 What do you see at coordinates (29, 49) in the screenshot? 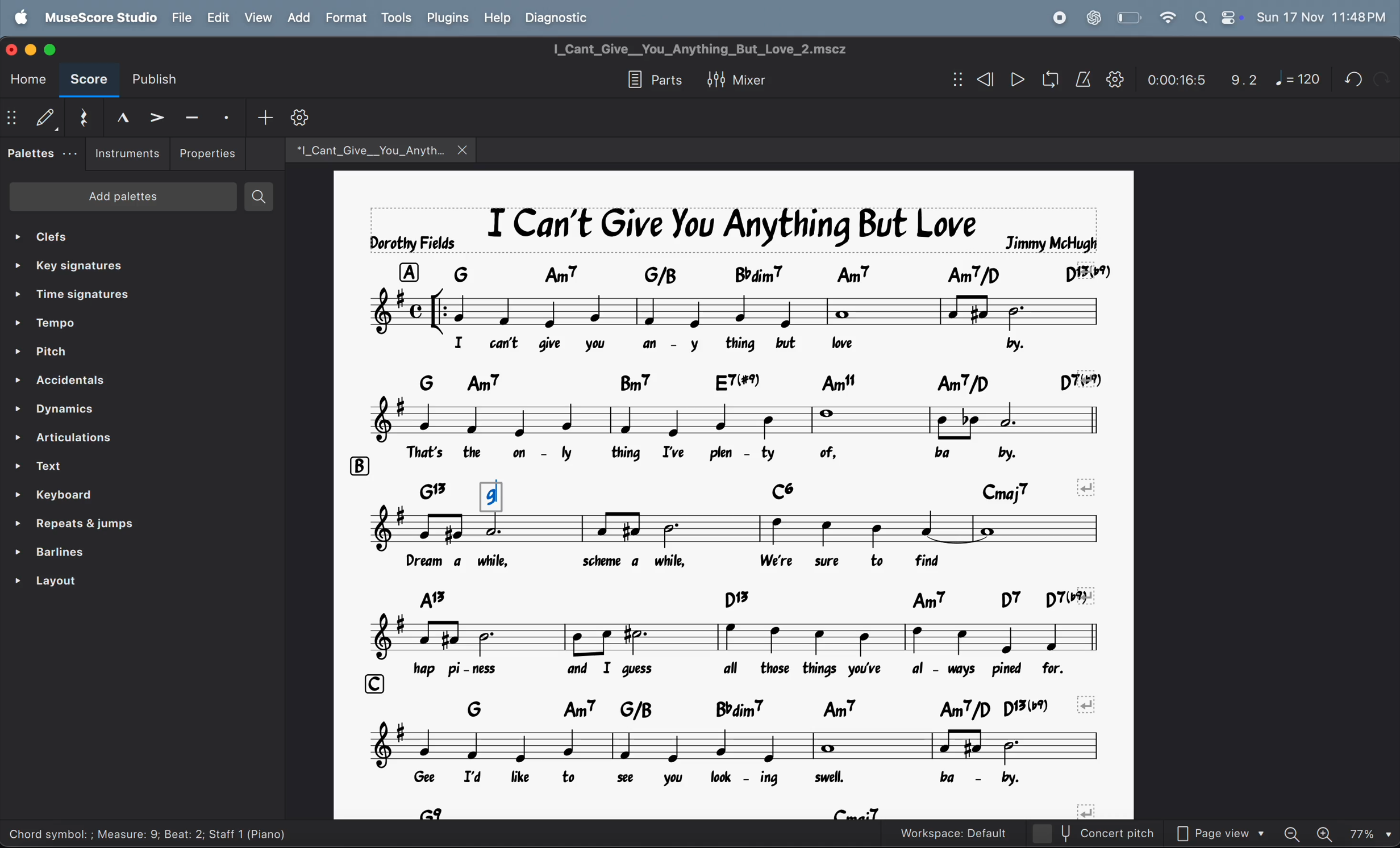
I see `minimize` at bounding box center [29, 49].